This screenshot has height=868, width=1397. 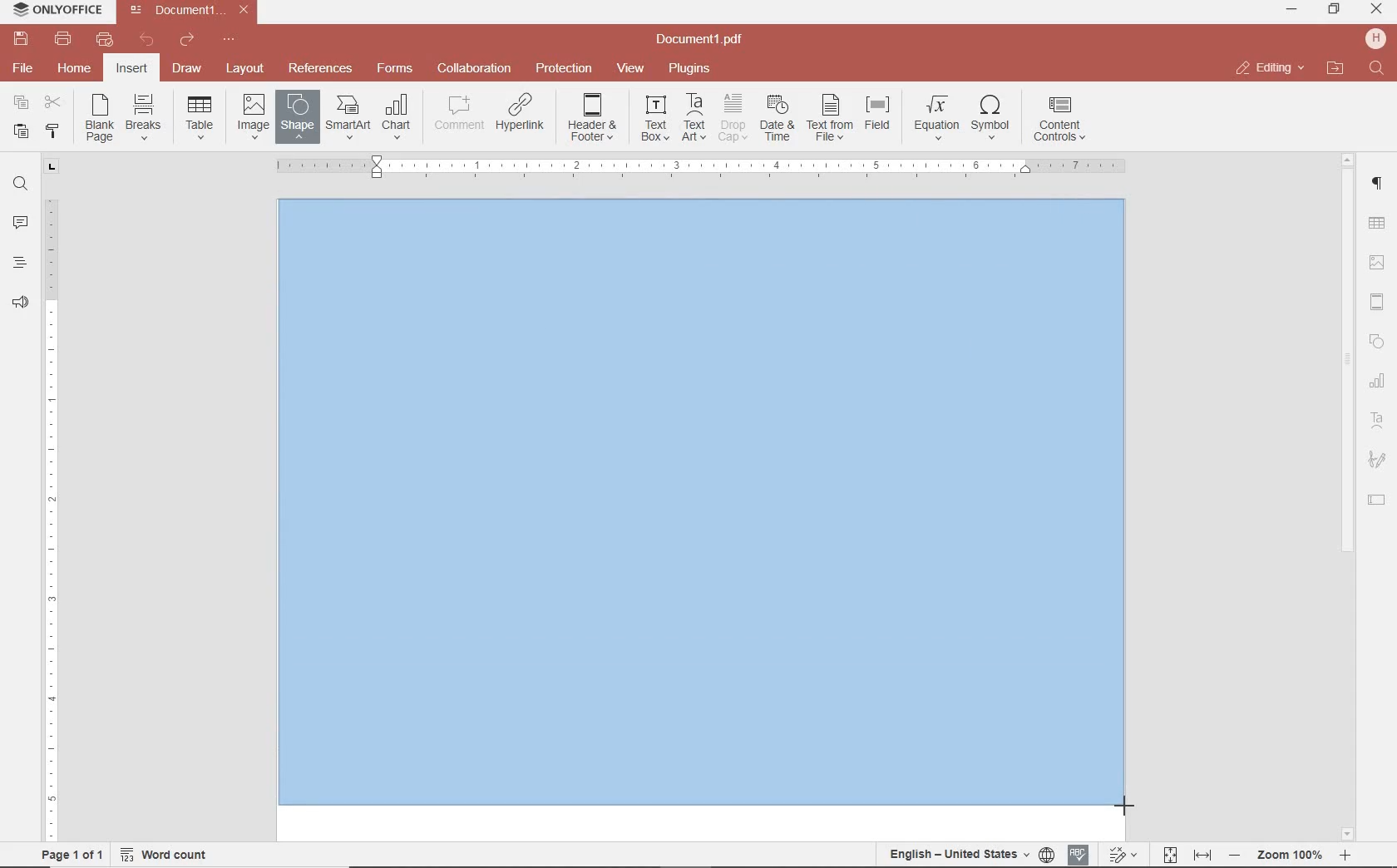 What do you see at coordinates (1377, 499) in the screenshot?
I see `TEXT FIELD` at bounding box center [1377, 499].